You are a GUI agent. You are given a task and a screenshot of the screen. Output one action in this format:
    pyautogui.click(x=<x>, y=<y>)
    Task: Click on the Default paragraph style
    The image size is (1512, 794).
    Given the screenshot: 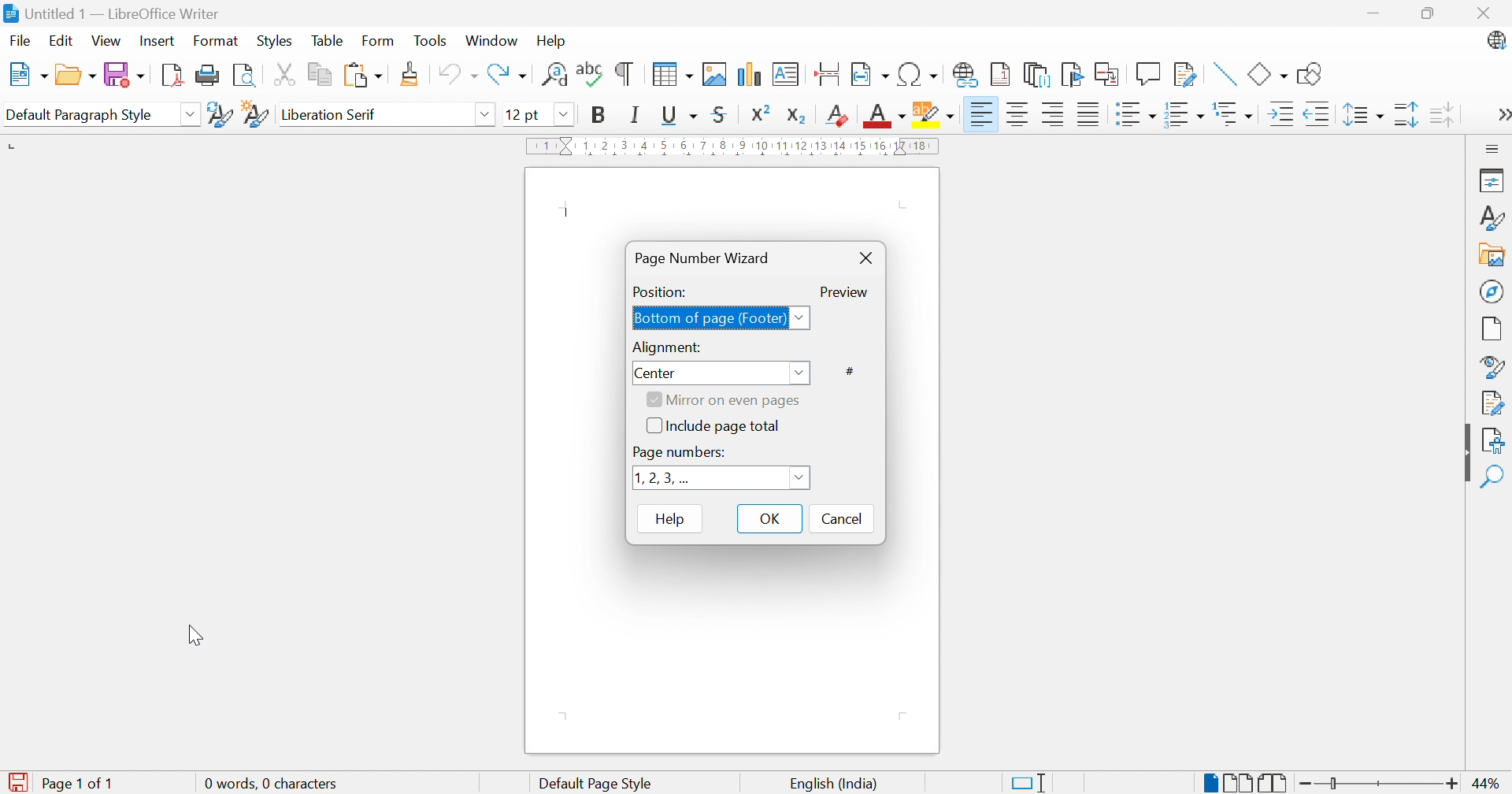 What is the action you would take?
    pyautogui.click(x=80, y=117)
    